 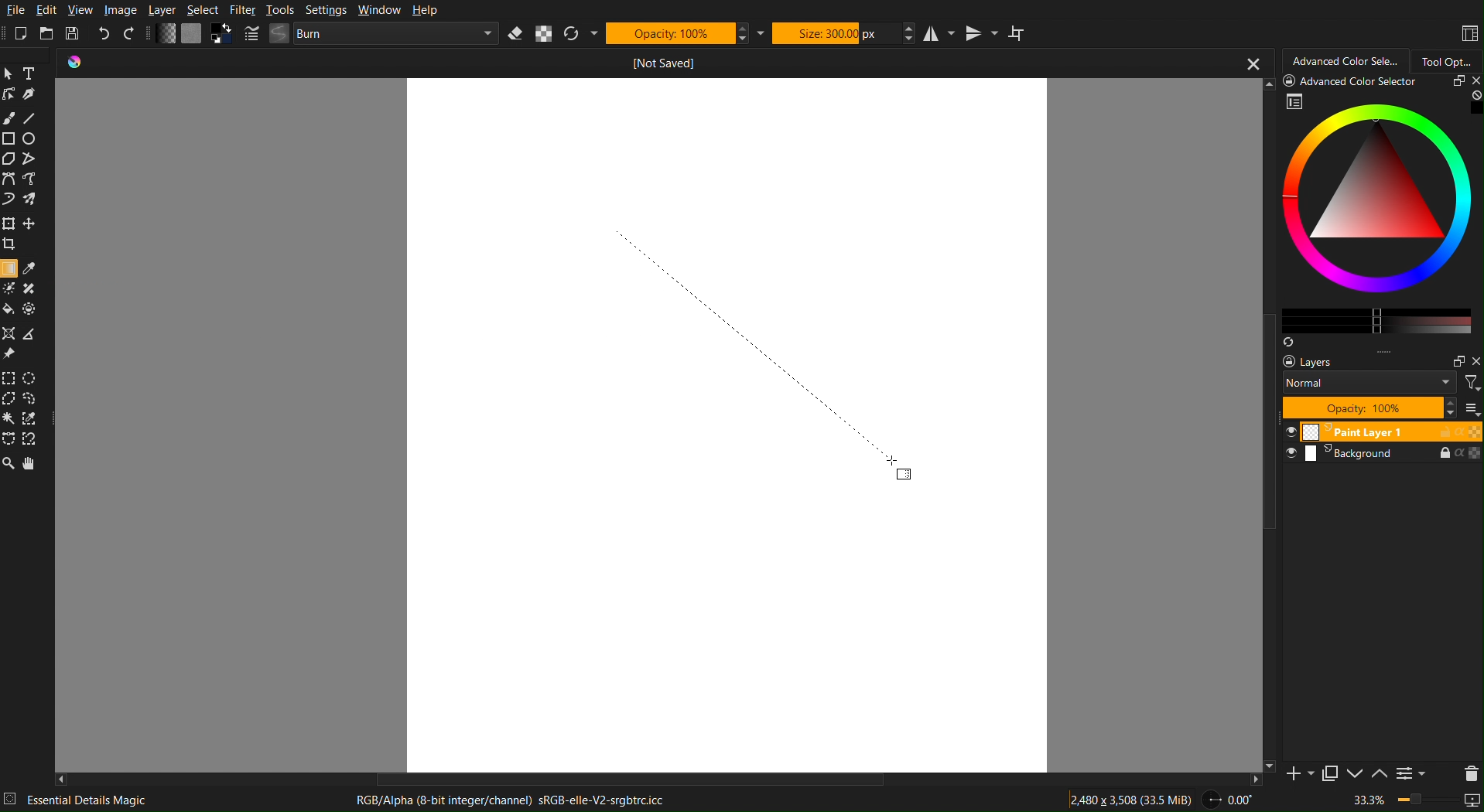 I want to click on Polygon Tools, so click(x=22, y=159).